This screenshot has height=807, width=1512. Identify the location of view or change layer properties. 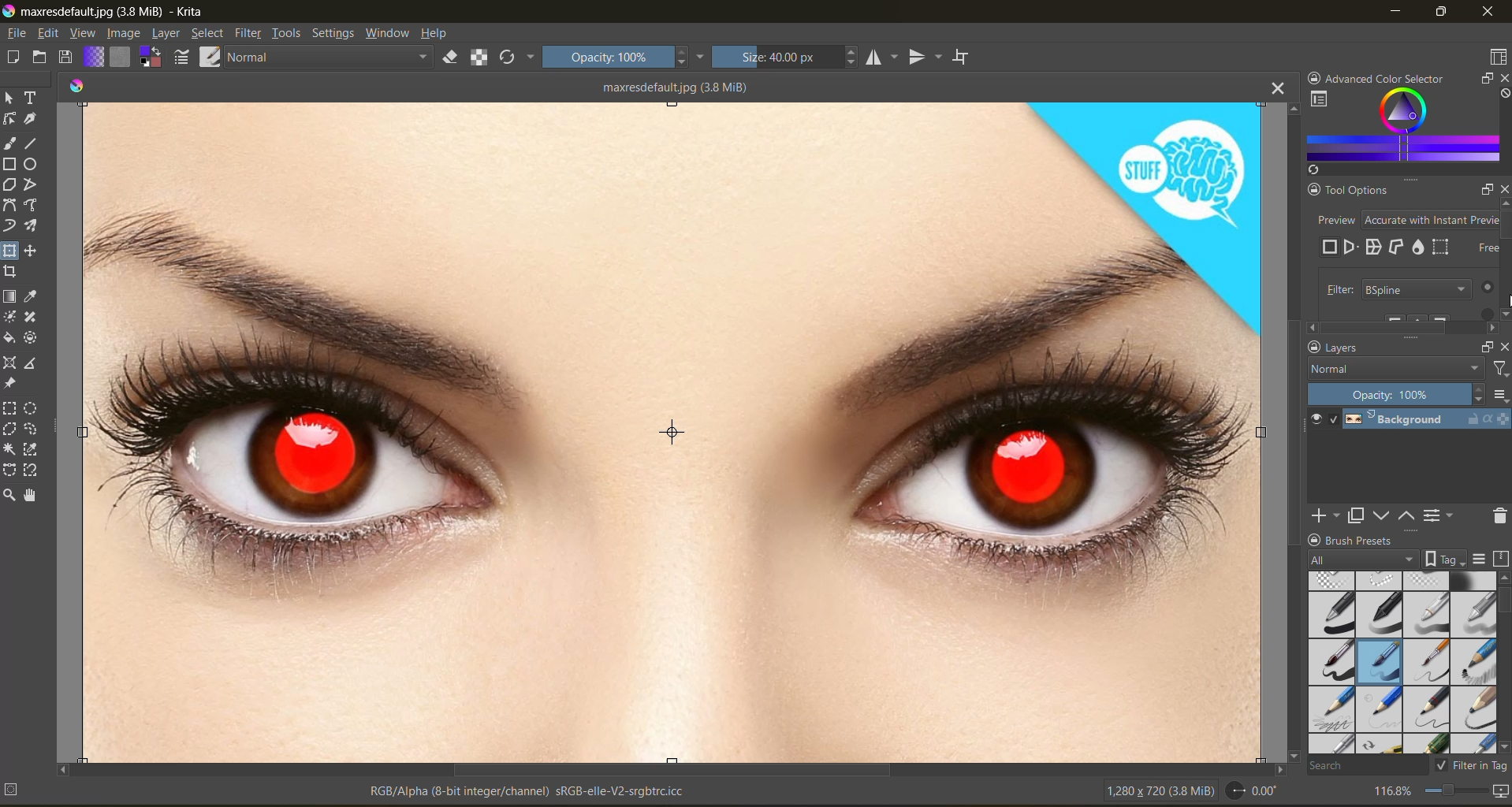
(1440, 515).